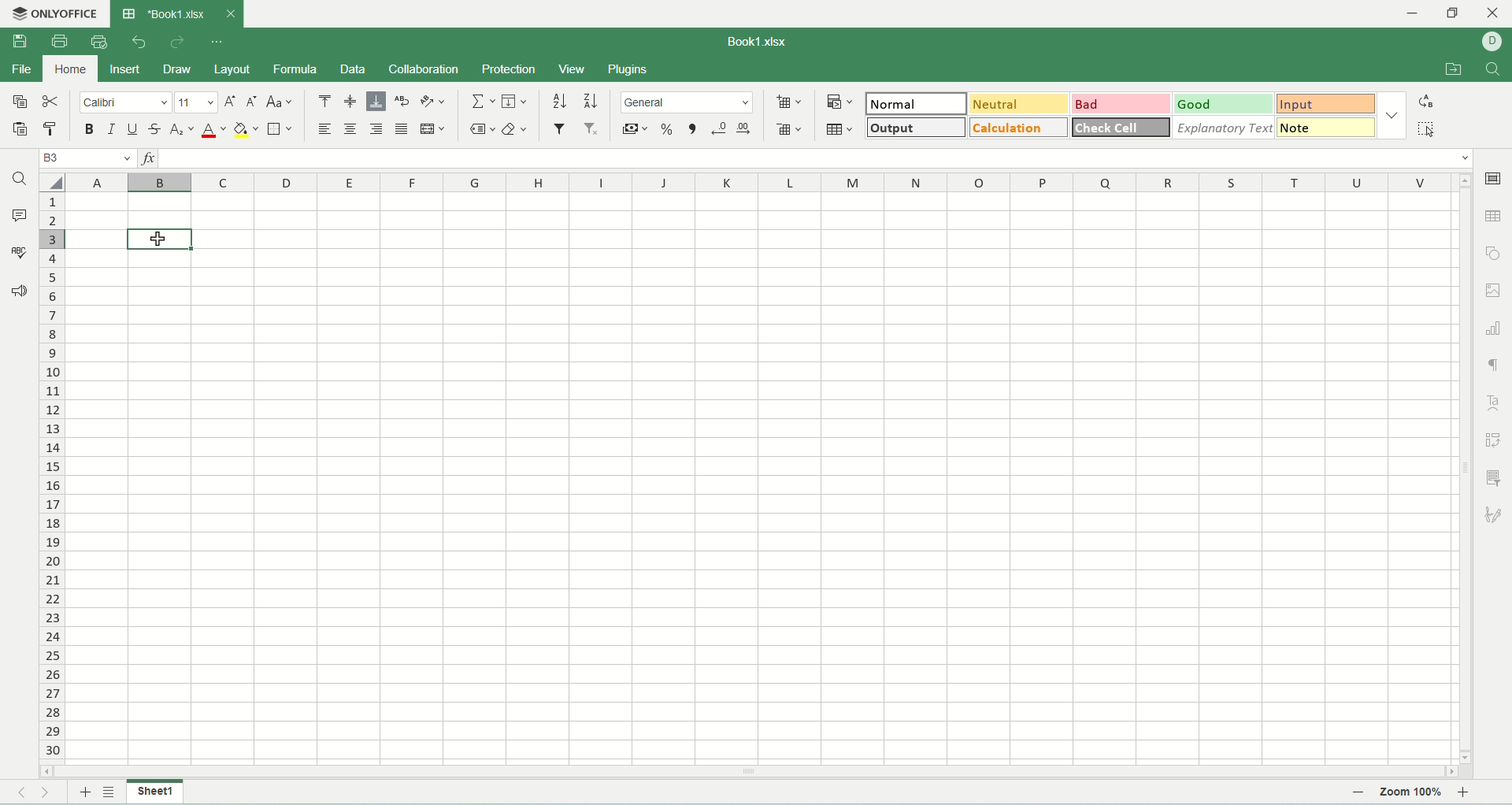 This screenshot has height=805, width=1512. I want to click on next, so click(53, 793).